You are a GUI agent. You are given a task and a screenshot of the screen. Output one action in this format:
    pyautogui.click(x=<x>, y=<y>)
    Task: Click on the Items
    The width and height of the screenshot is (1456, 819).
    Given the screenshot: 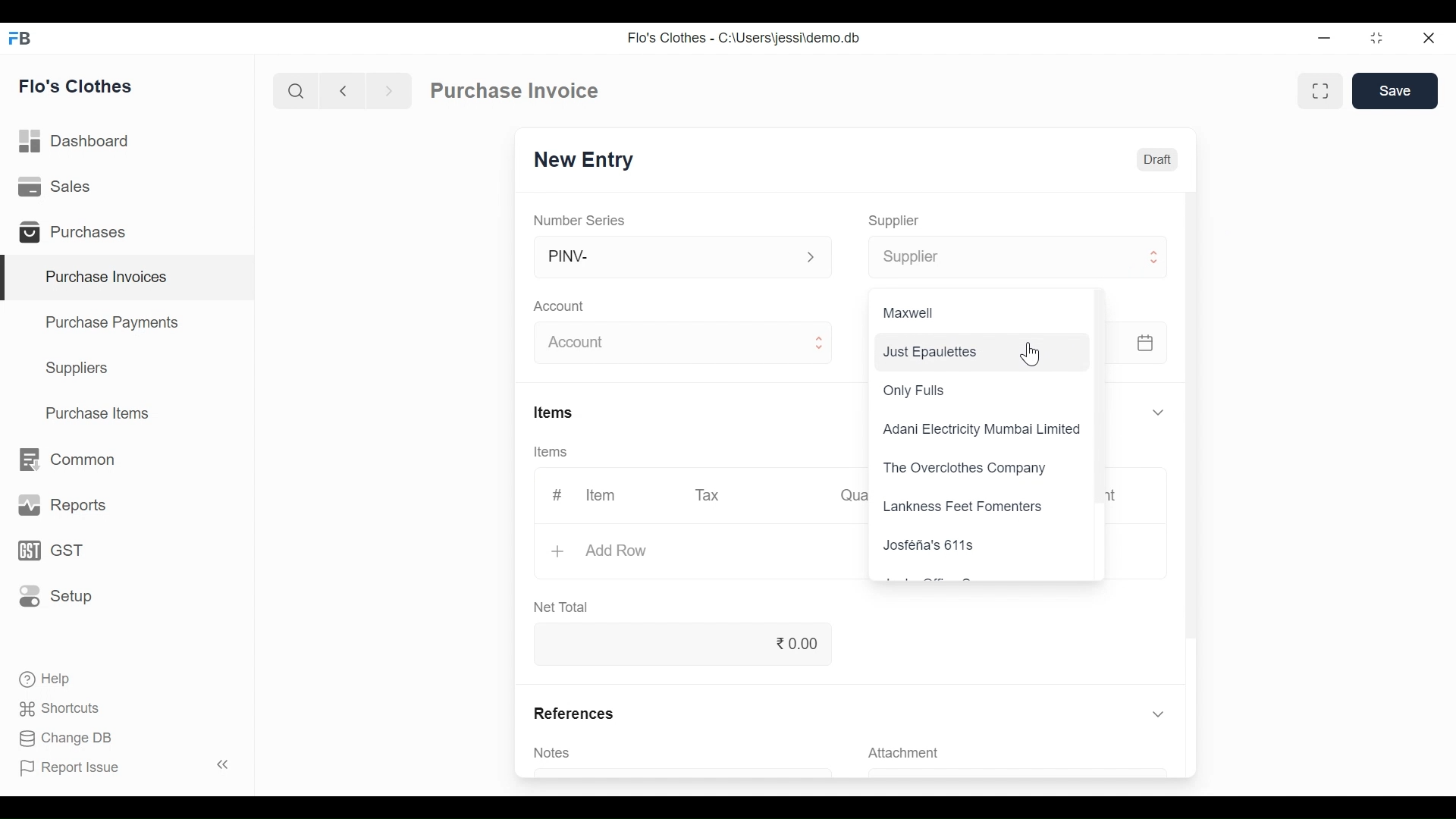 What is the action you would take?
    pyautogui.click(x=549, y=452)
    